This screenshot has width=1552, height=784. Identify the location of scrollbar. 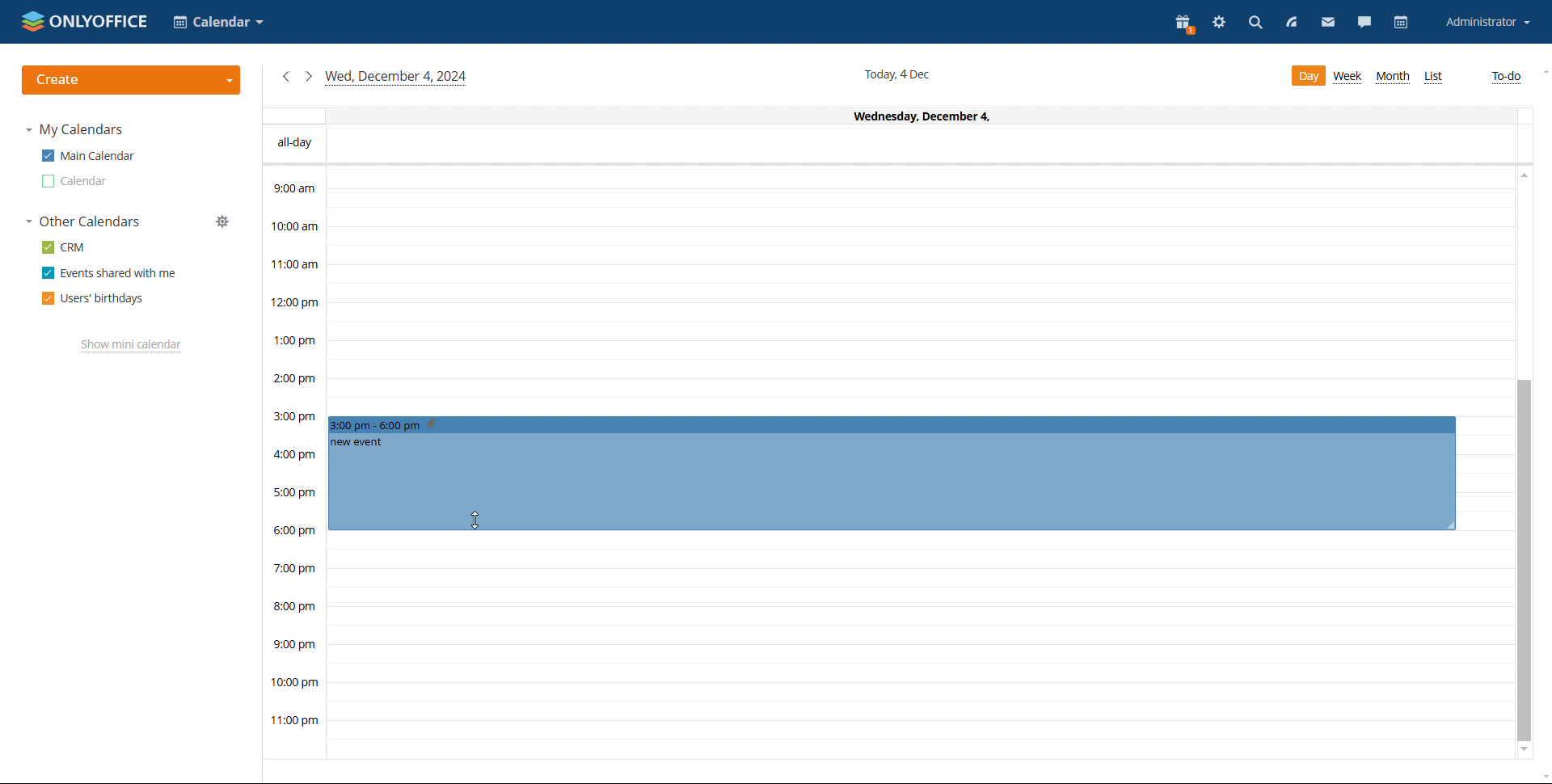
(1525, 561).